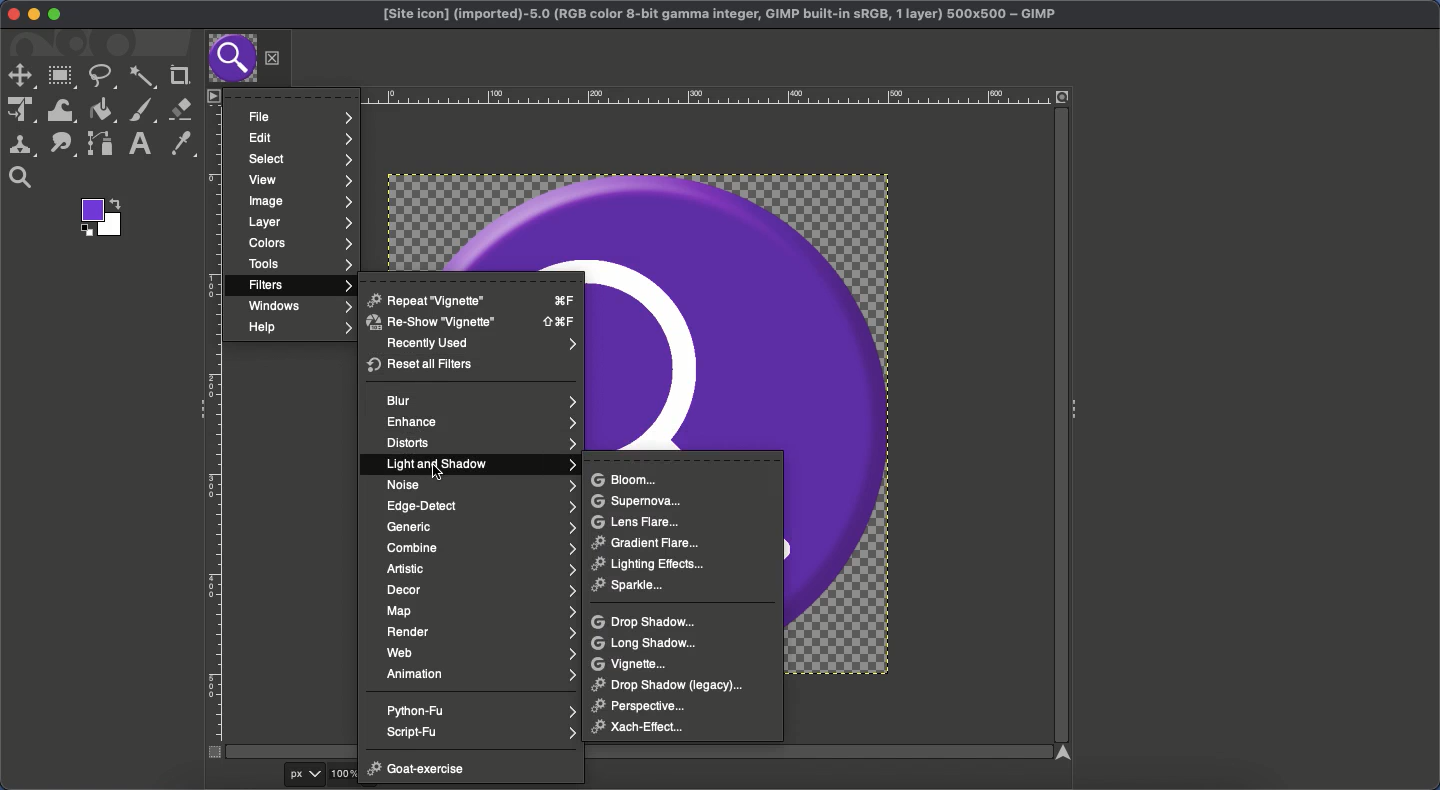  I want to click on Rectangular selector, so click(62, 78).